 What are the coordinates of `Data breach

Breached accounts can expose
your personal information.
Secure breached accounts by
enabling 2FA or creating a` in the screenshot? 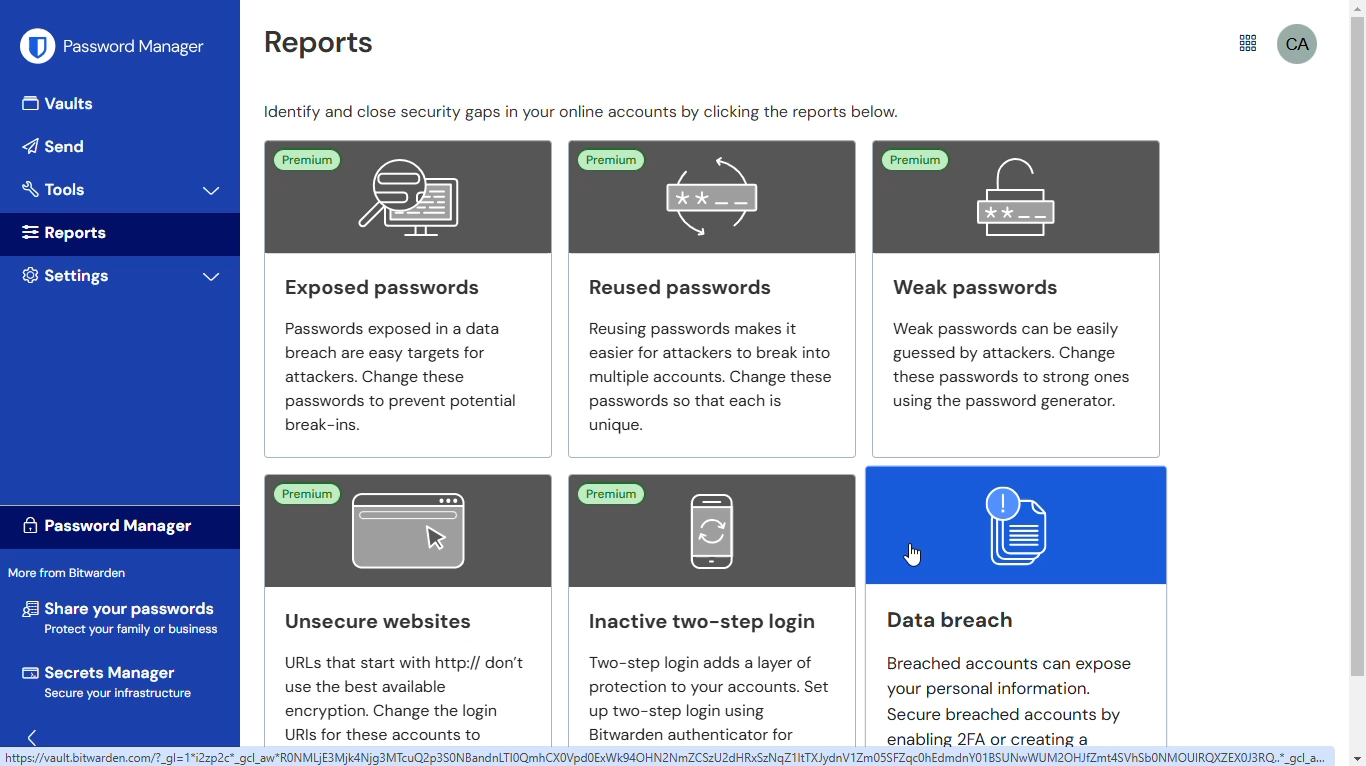 It's located at (1005, 672).